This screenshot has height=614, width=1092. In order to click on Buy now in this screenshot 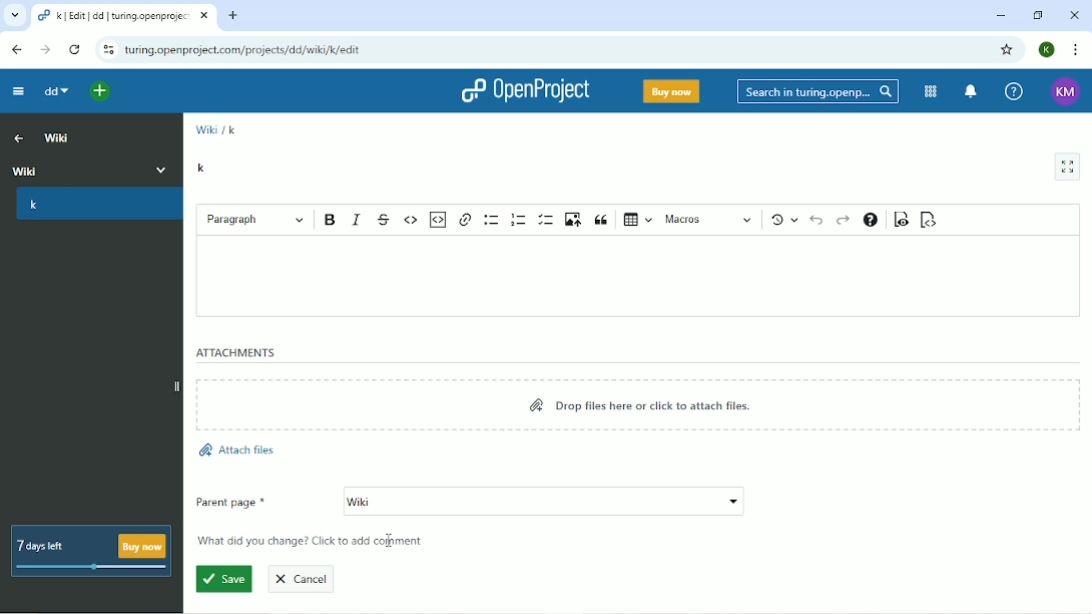, I will do `click(671, 91)`.